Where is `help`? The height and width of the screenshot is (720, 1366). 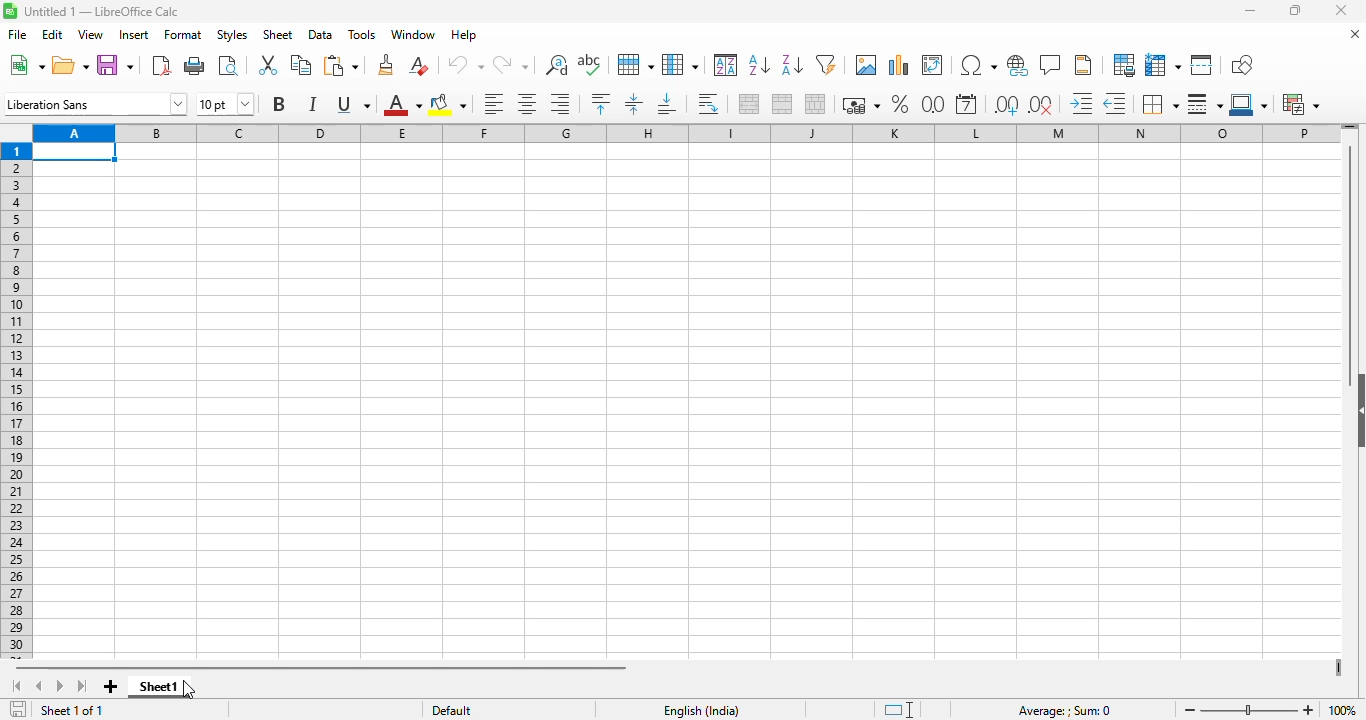 help is located at coordinates (464, 35).